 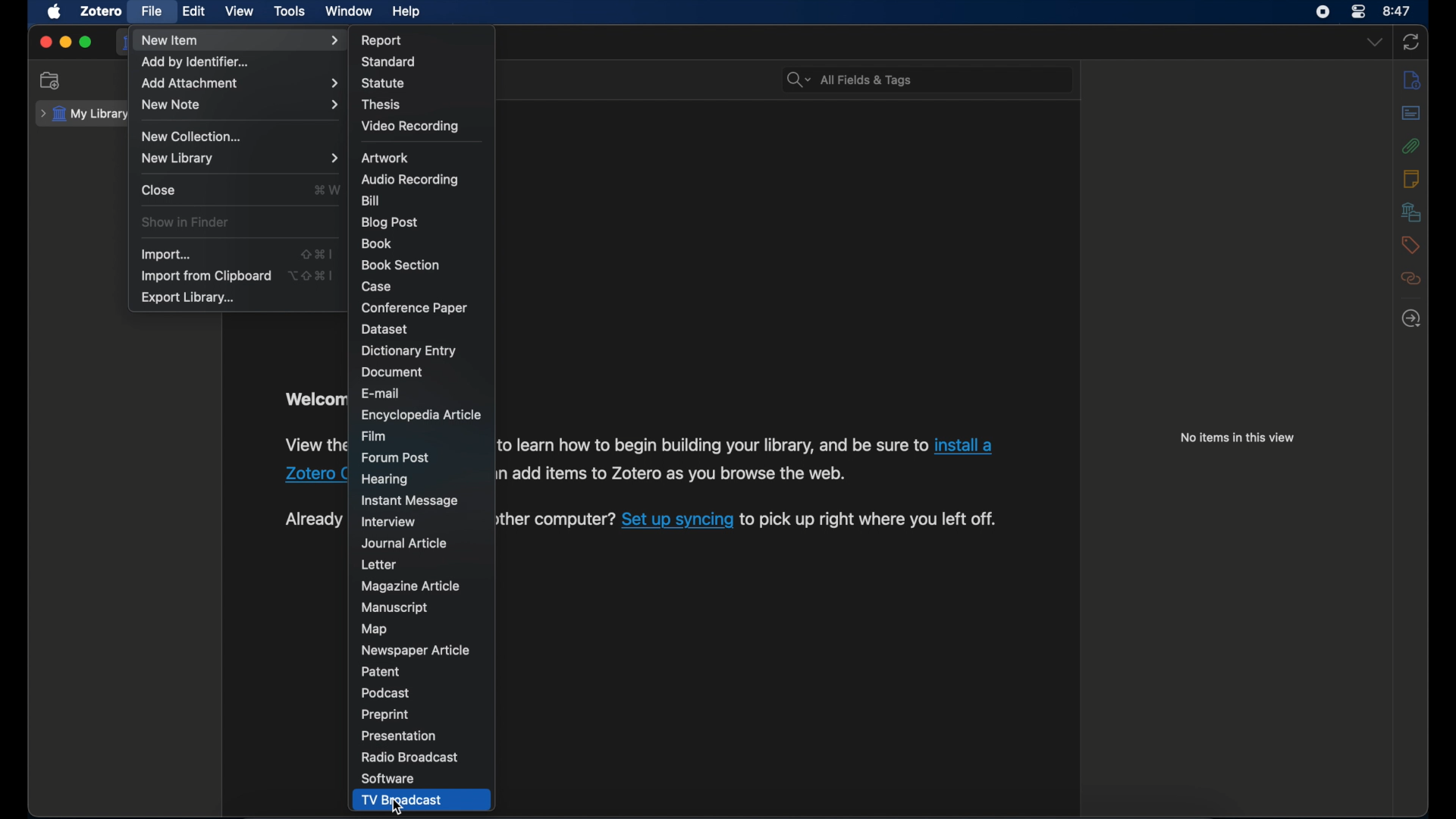 I want to click on new library, so click(x=238, y=159).